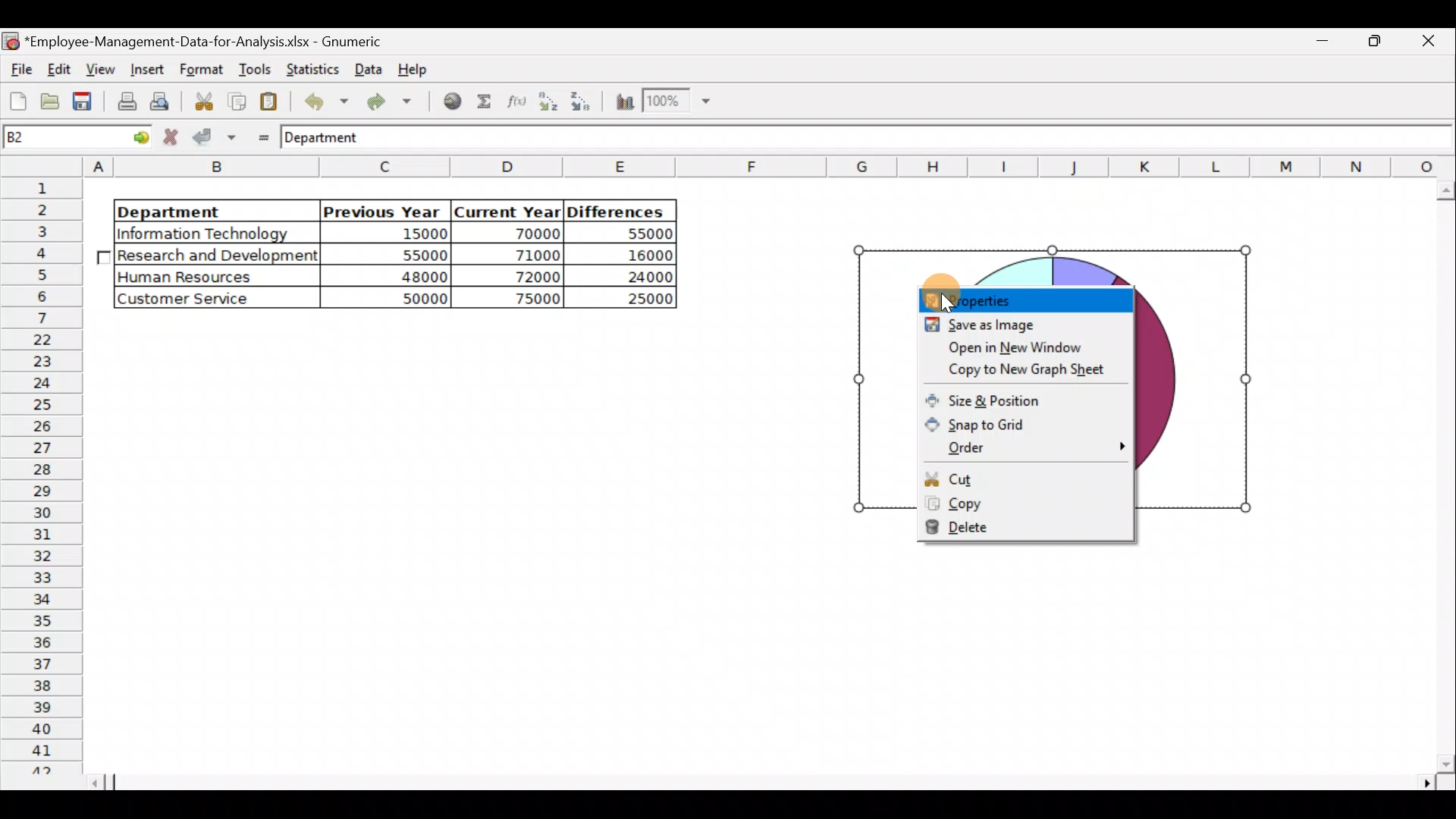 This screenshot has width=1456, height=819. I want to click on Columns, so click(770, 166).